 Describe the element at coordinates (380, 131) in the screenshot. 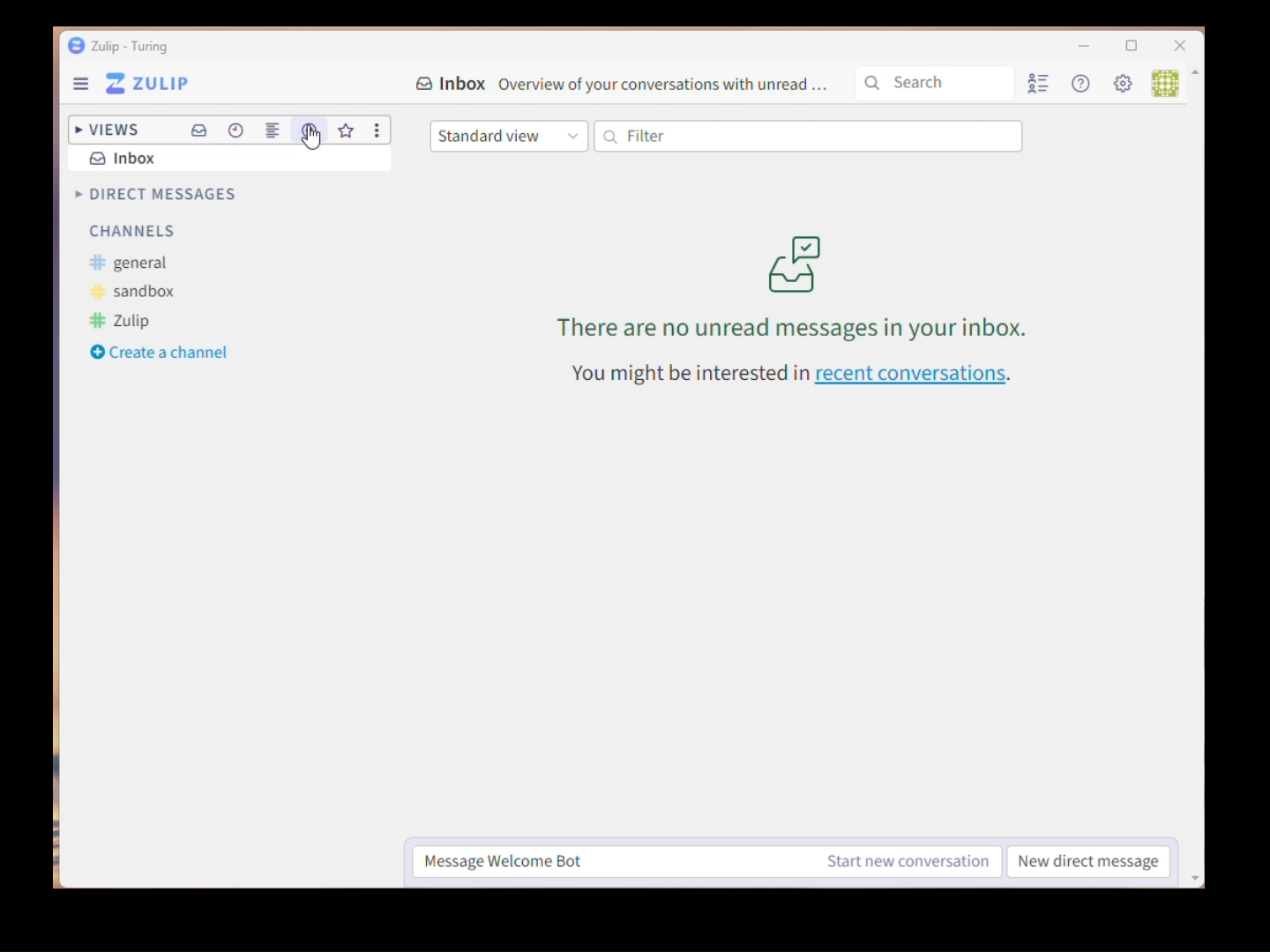

I see `More` at that location.